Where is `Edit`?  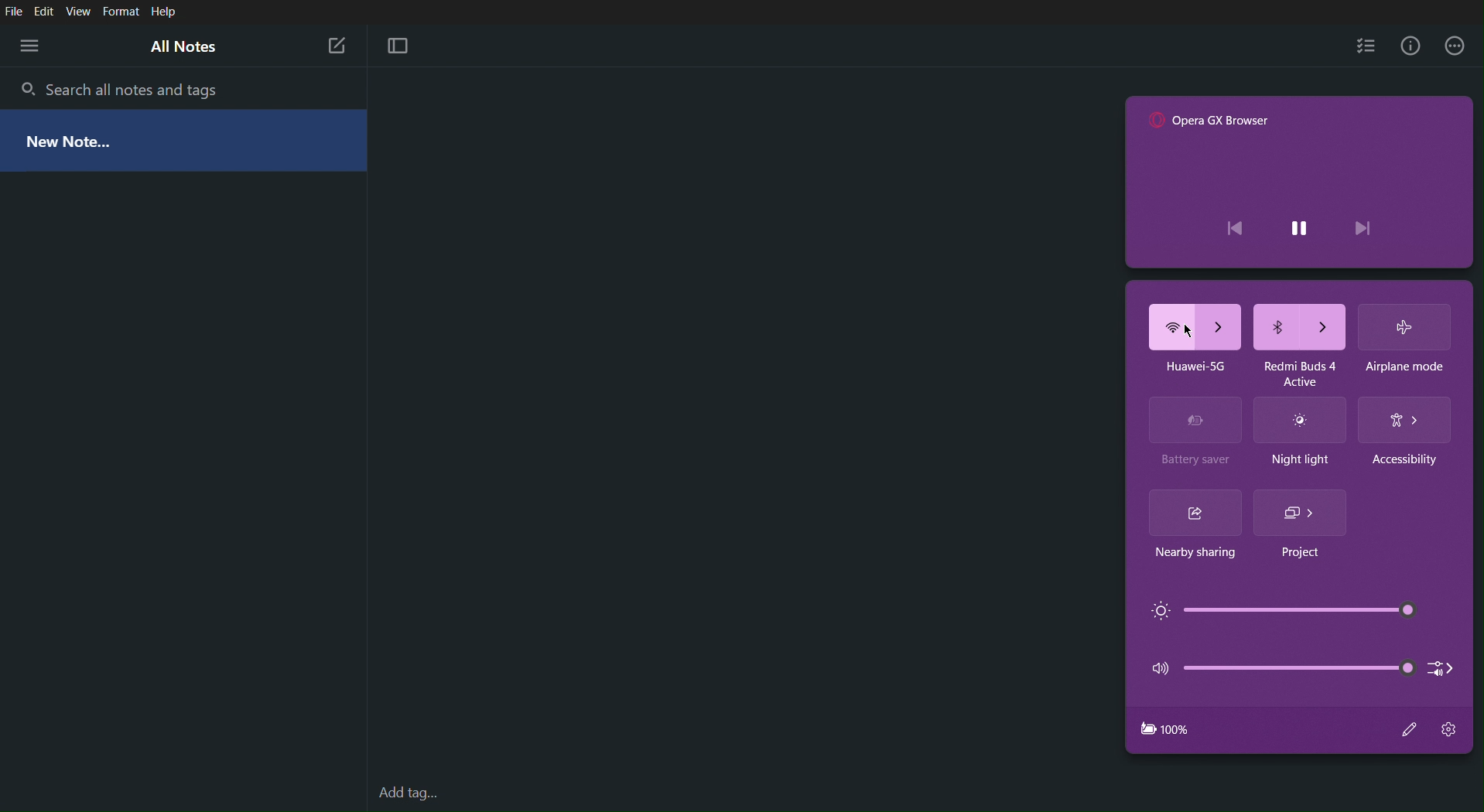
Edit is located at coordinates (1410, 730).